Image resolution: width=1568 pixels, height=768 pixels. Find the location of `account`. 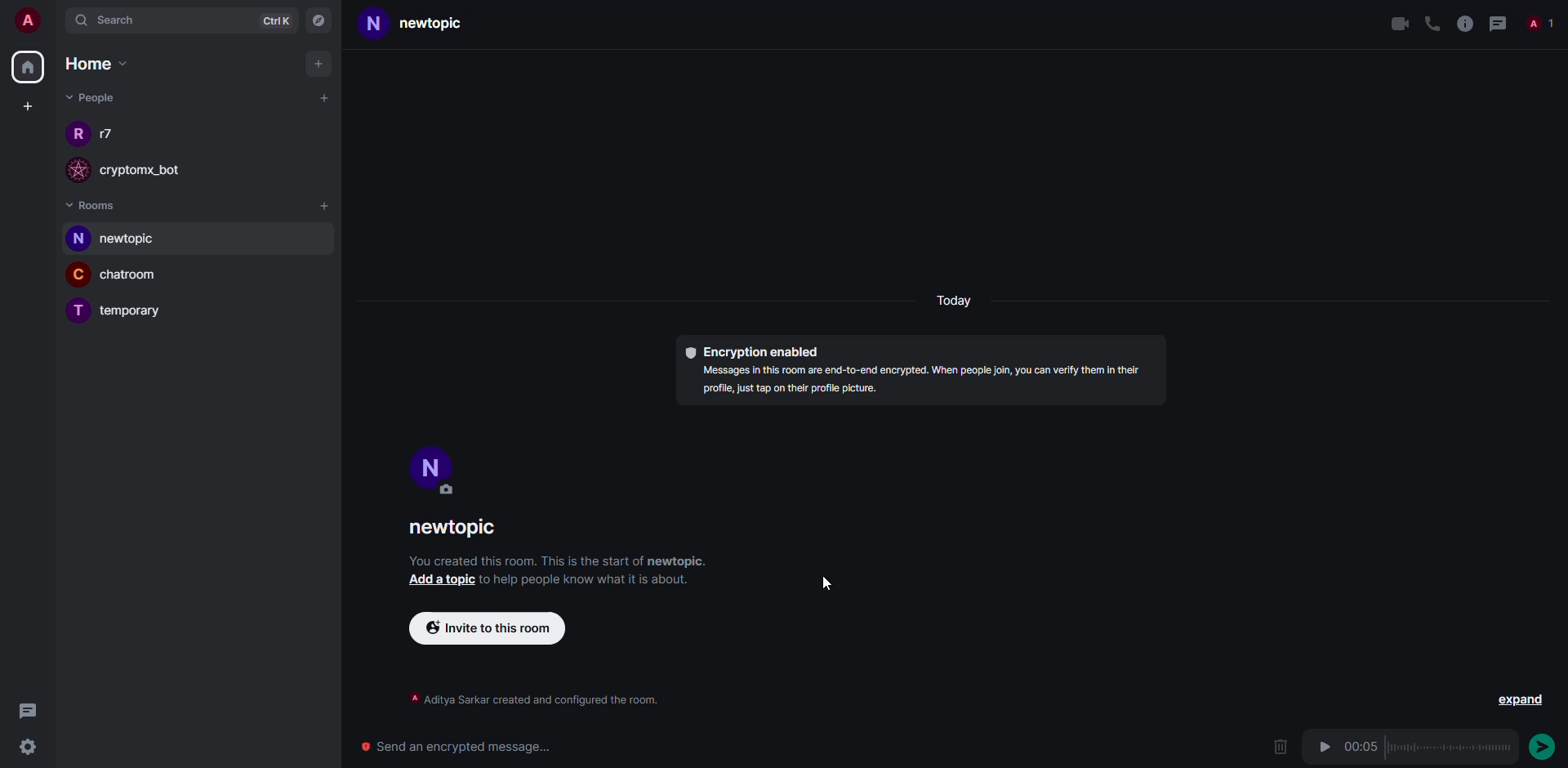

account is located at coordinates (33, 23).